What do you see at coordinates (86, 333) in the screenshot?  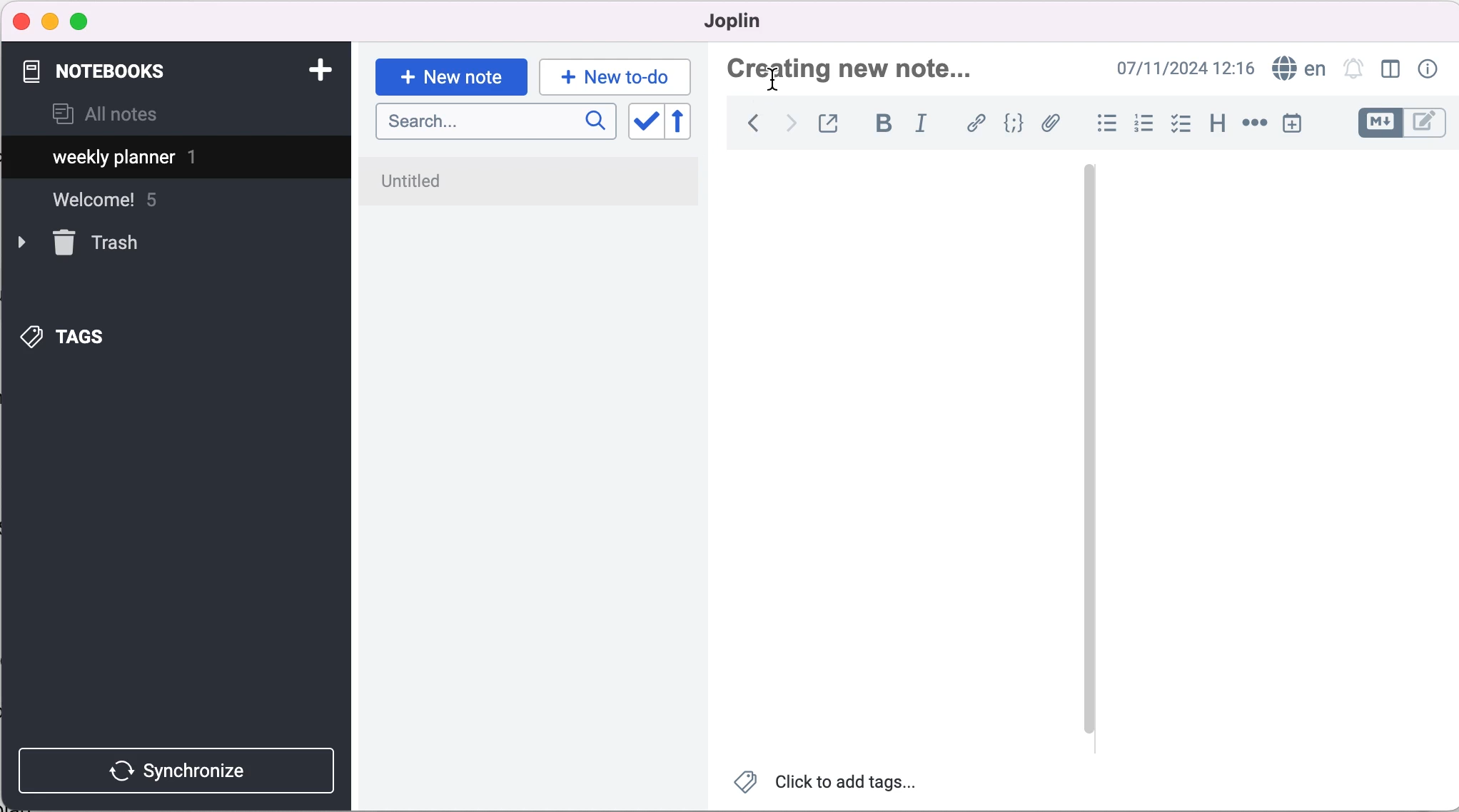 I see `tags` at bounding box center [86, 333].